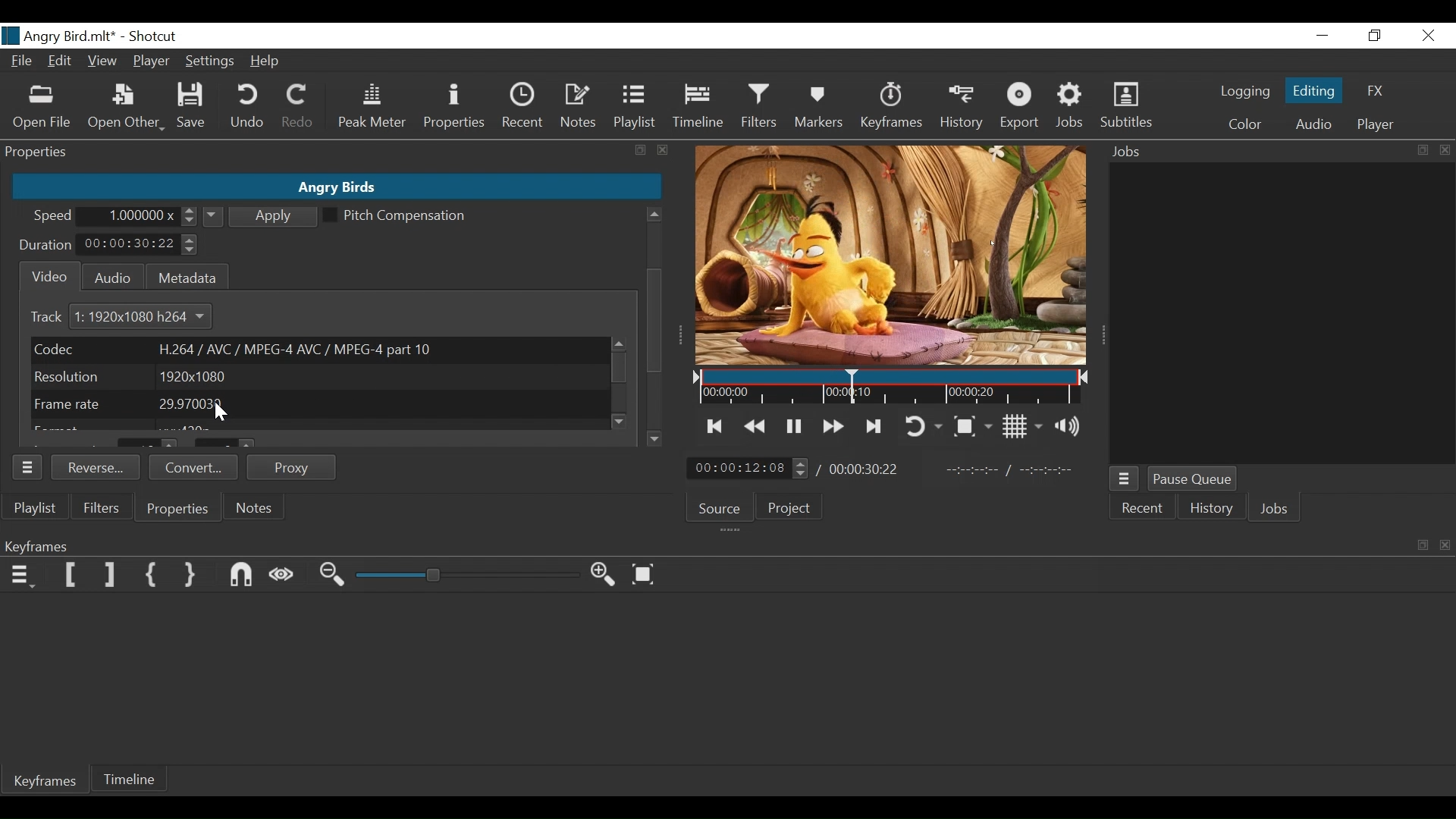  Describe the element at coordinates (99, 507) in the screenshot. I see `Filters` at that location.